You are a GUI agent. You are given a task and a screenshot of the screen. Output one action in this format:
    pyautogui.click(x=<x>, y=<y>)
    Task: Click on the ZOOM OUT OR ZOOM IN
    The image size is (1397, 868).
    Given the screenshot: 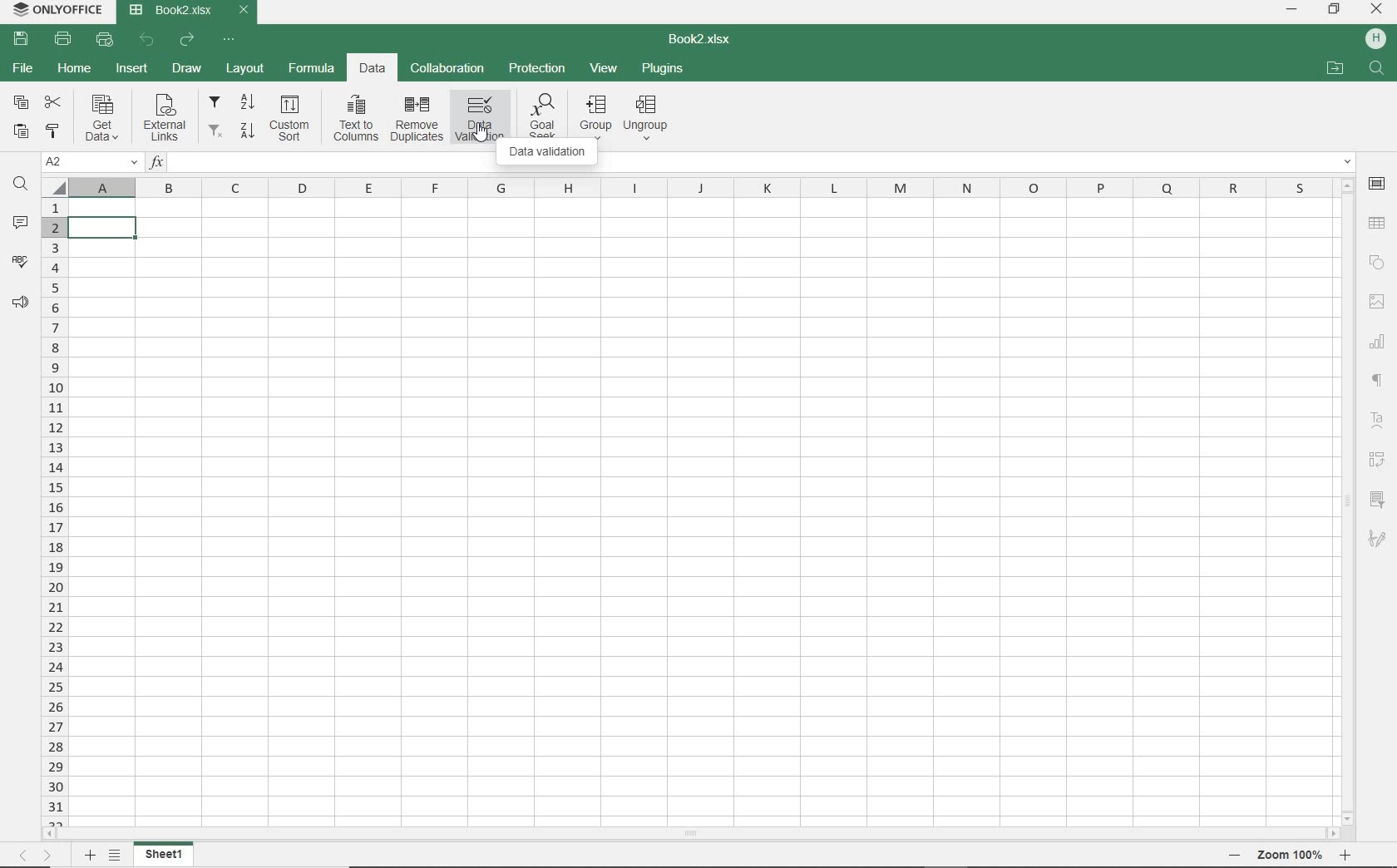 What is the action you would take?
    pyautogui.click(x=1285, y=856)
    